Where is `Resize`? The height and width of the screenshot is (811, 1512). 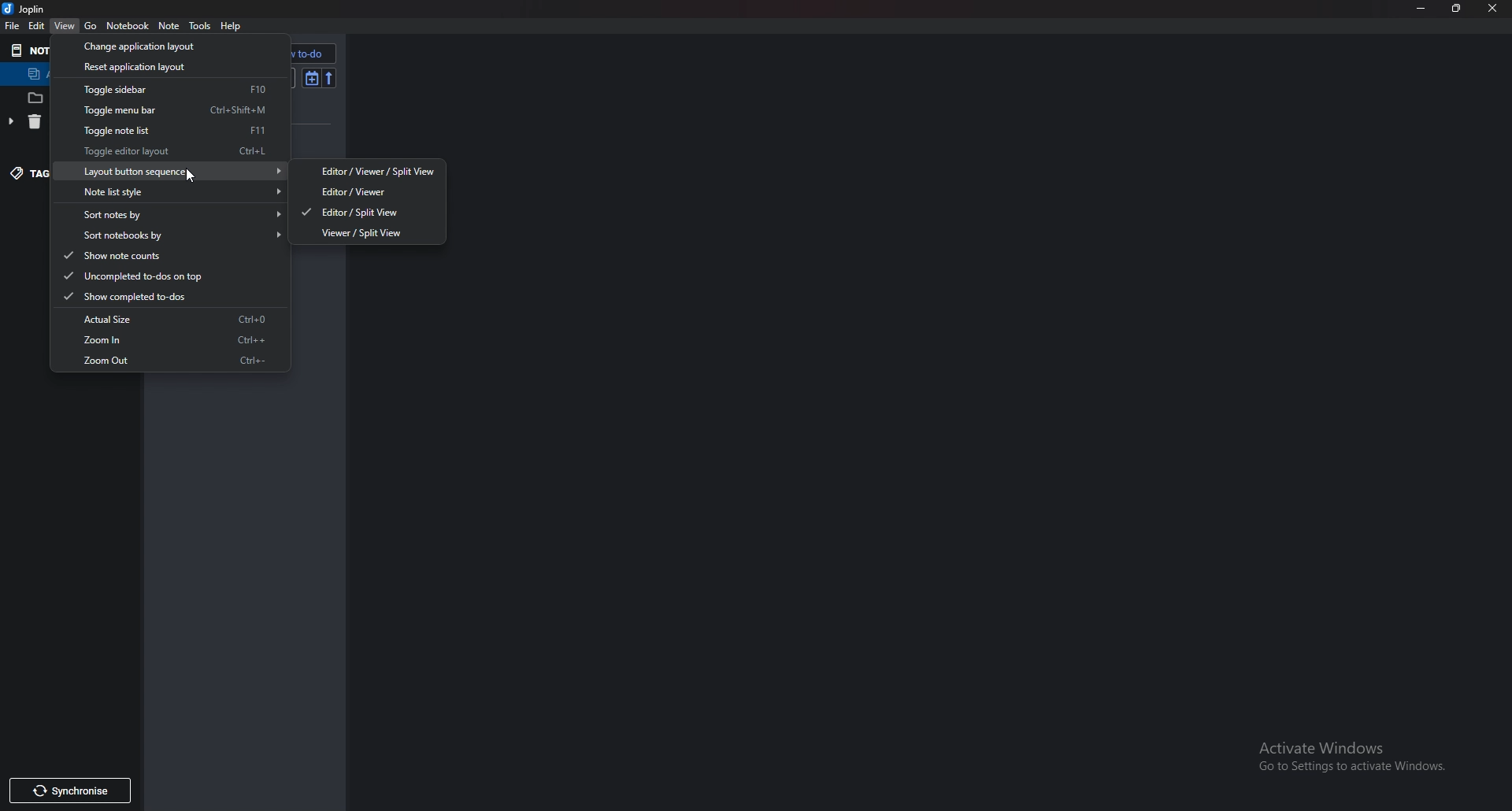
Resize is located at coordinates (1455, 9).